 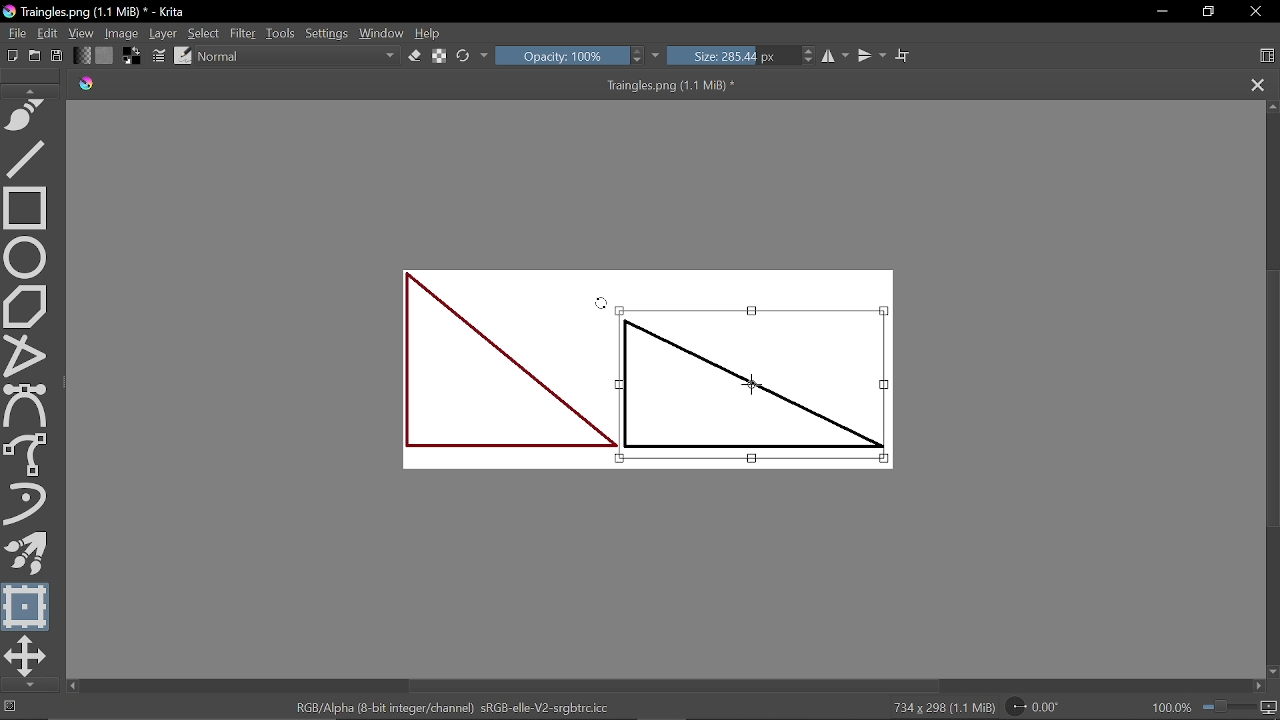 What do you see at coordinates (27, 606) in the screenshot?
I see `Transform a selection or a layer` at bounding box center [27, 606].